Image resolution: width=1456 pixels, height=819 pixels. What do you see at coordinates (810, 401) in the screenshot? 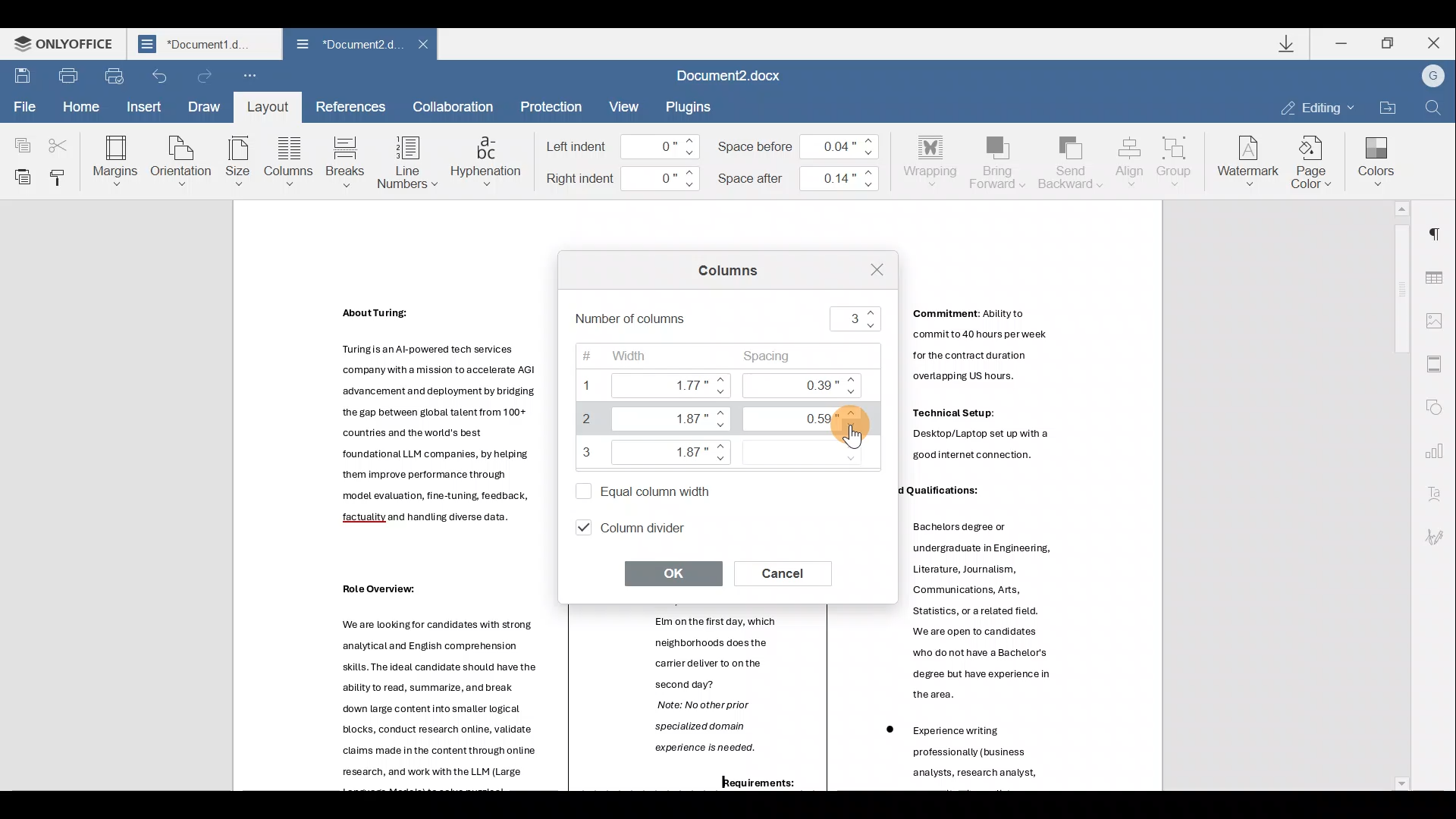
I see `Spacing` at bounding box center [810, 401].